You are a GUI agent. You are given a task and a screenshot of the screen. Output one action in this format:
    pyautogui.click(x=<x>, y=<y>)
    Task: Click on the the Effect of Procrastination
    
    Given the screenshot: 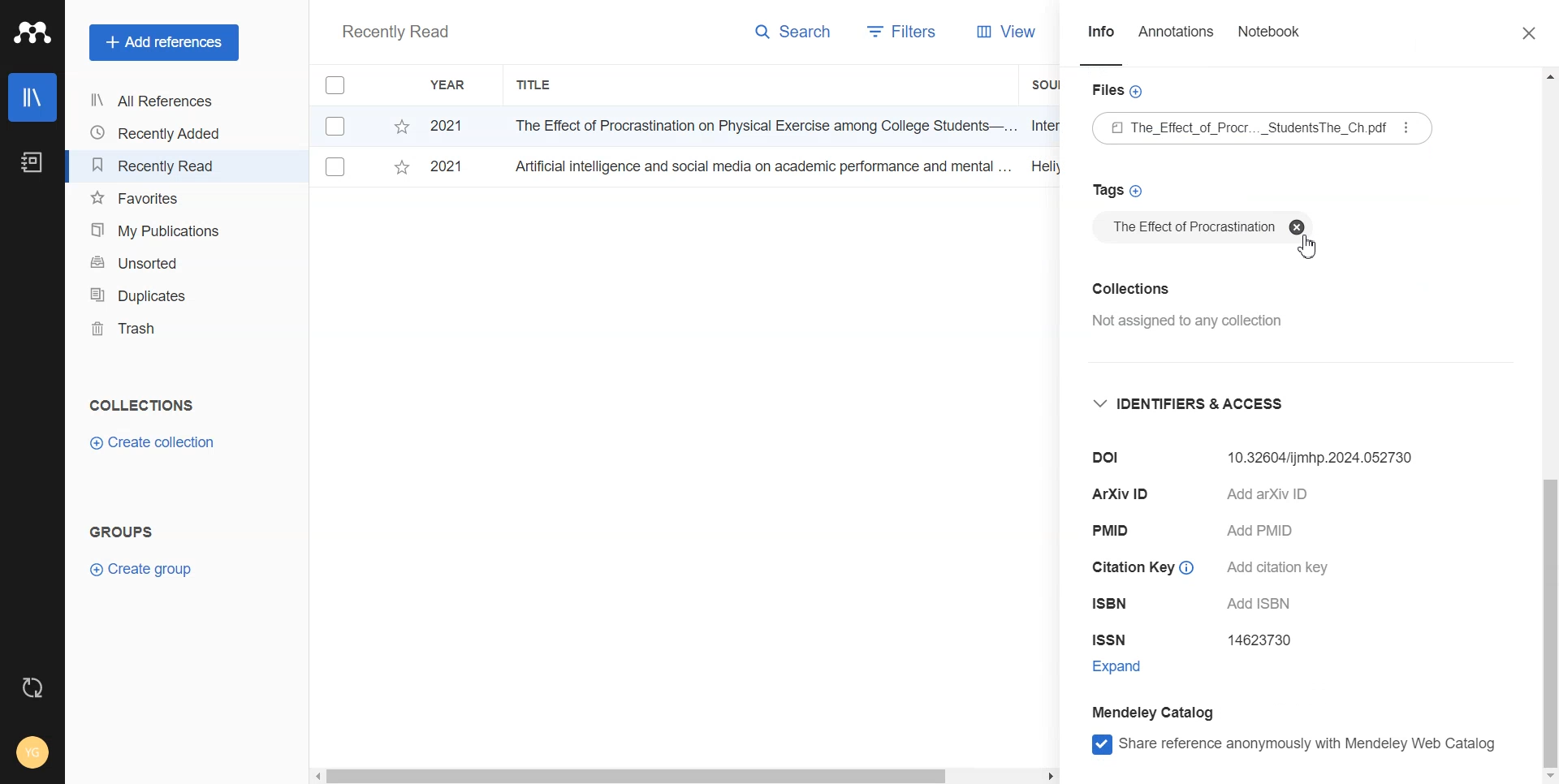 What is the action you would take?
    pyautogui.click(x=1201, y=227)
    